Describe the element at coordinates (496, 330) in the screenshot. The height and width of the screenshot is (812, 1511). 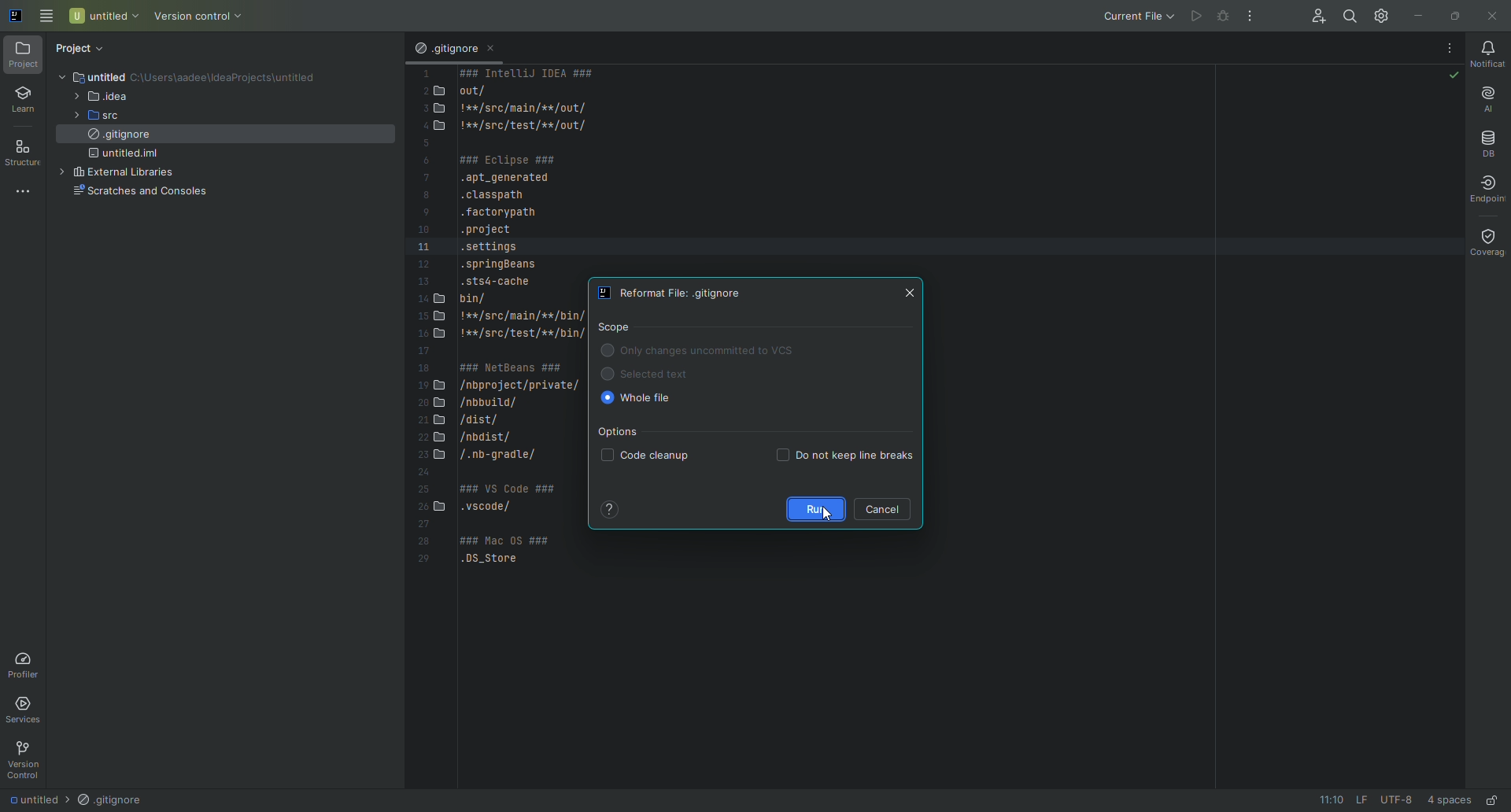
I see `This is a .gitigmore file,used by Git version control system to specify intentionally untracked files that Git should ignore.` at that location.